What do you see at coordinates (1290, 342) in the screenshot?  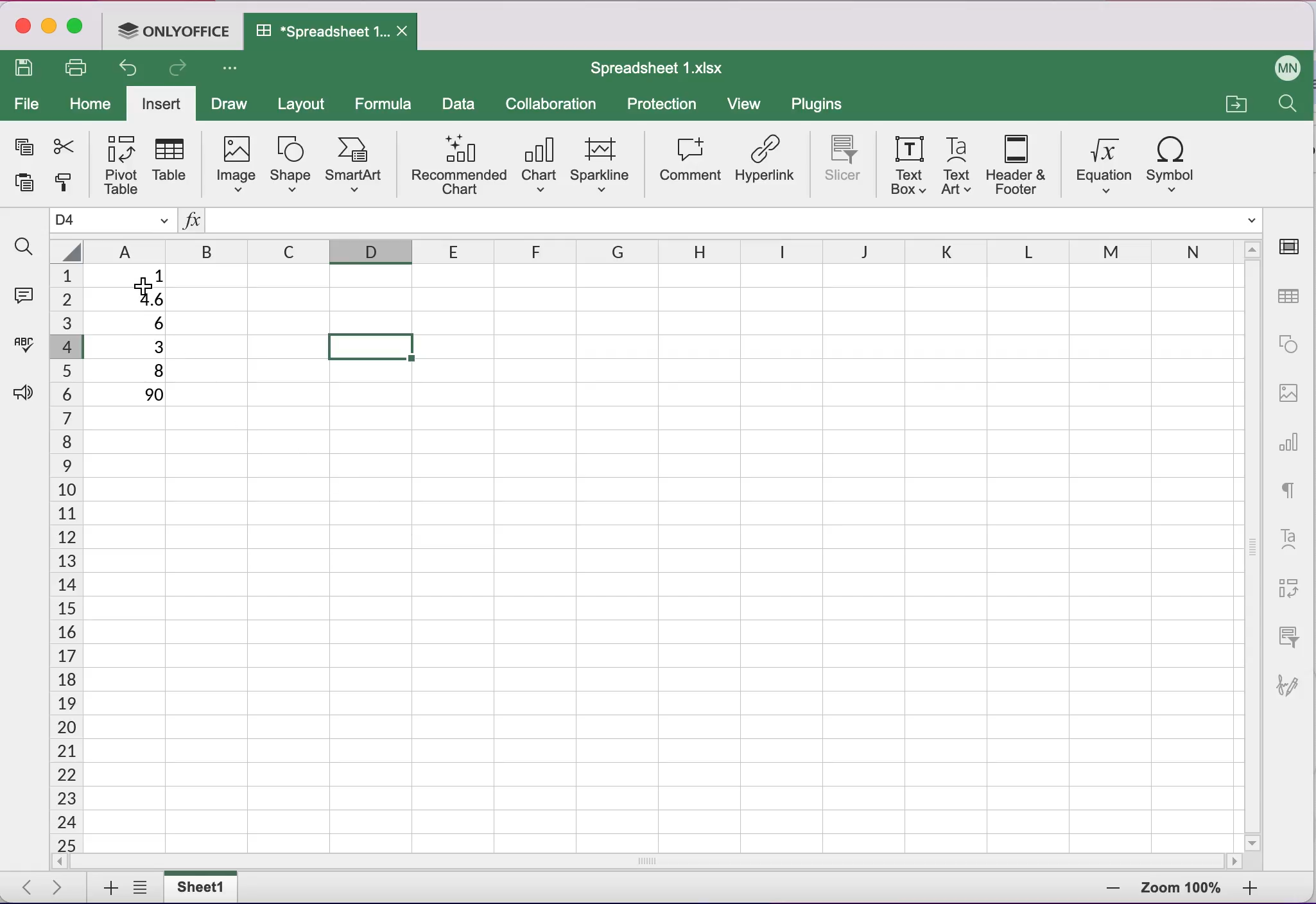 I see `shape` at bounding box center [1290, 342].